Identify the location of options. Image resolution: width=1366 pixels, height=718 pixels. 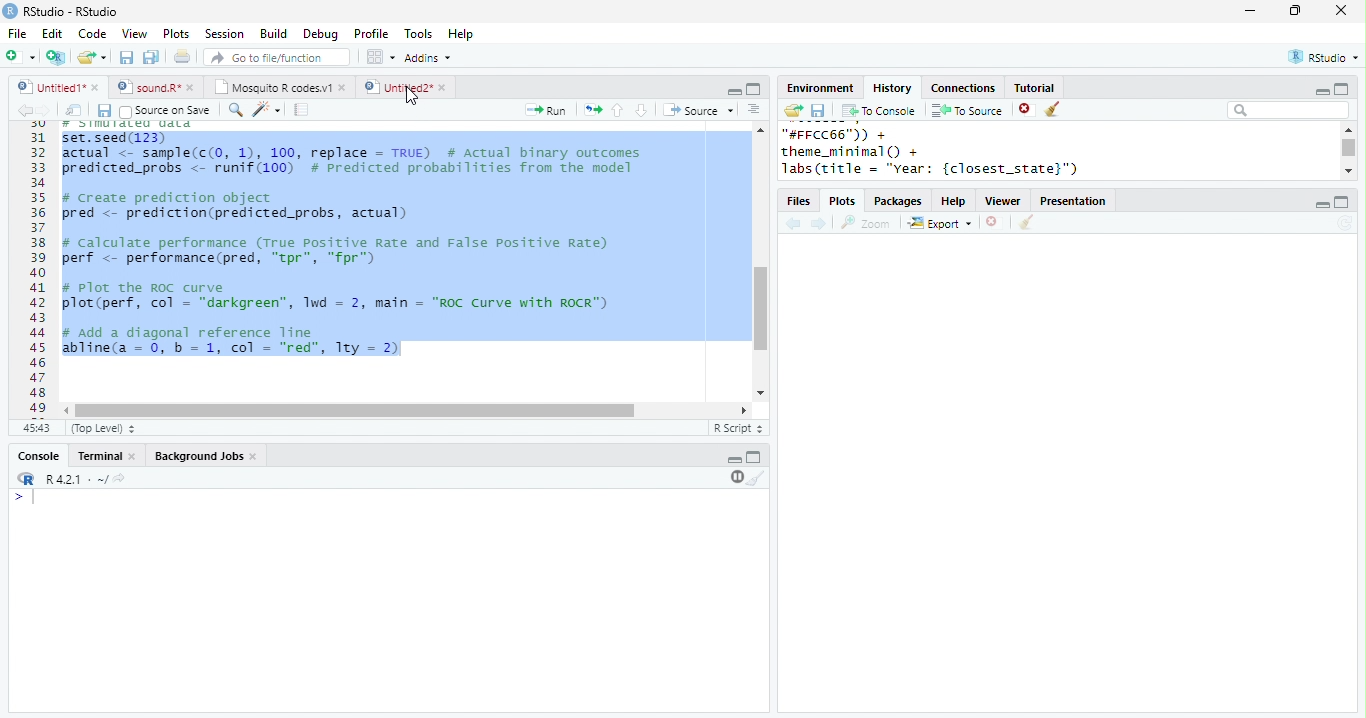
(754, 109).